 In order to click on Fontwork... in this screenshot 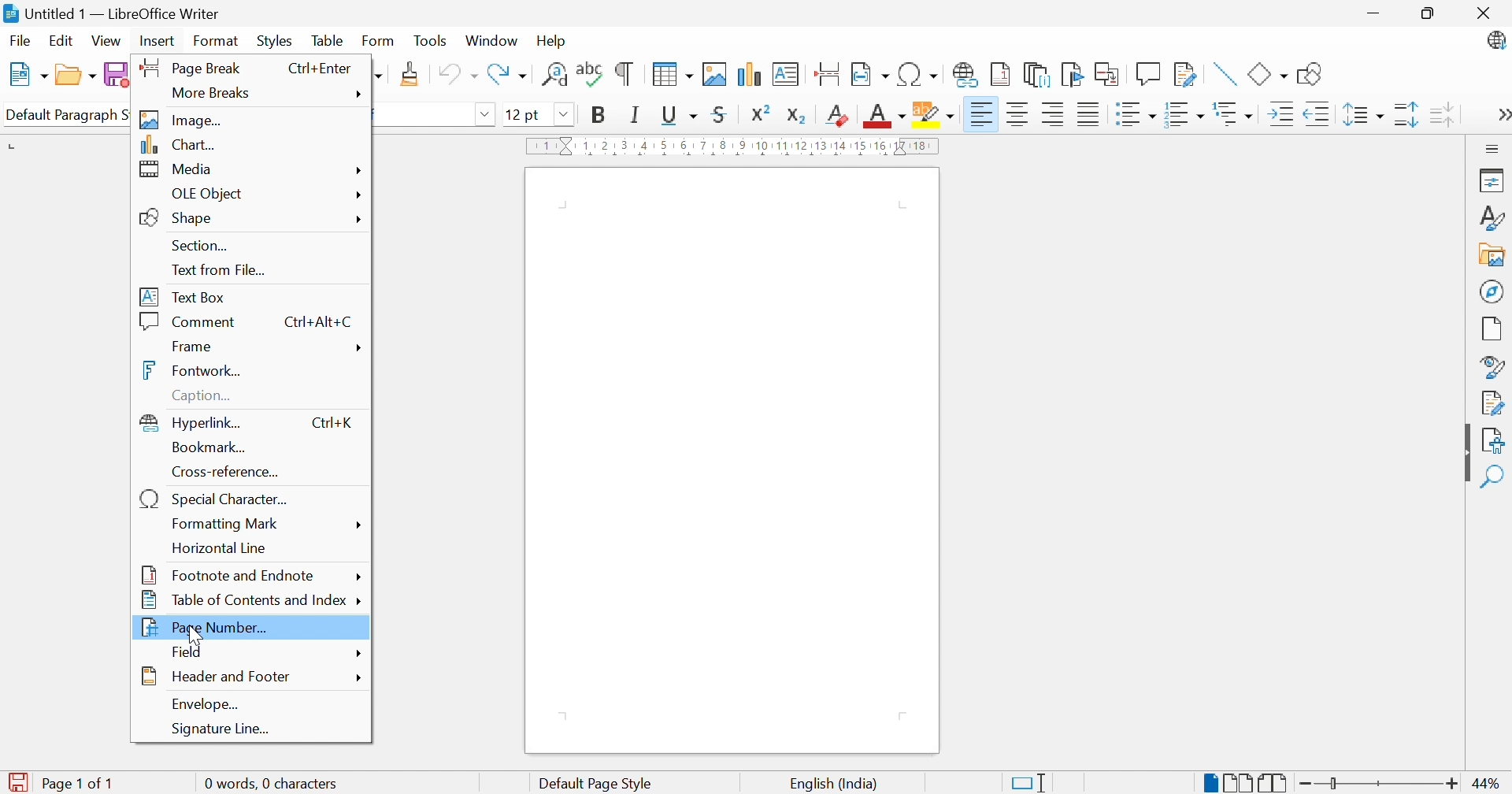, I will do `click(192, 369)`.